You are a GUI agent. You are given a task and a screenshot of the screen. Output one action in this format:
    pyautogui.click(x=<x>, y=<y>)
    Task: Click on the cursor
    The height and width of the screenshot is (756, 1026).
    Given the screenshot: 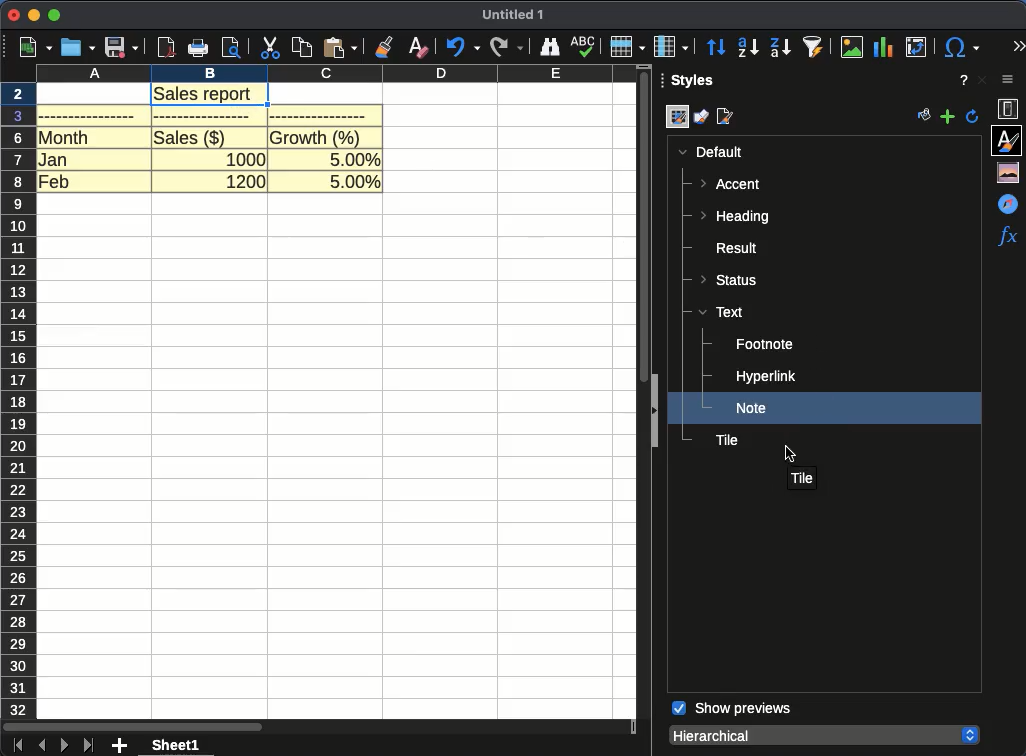 What is the action you would take?
    pyautogui.click(x=792, y=452)
    